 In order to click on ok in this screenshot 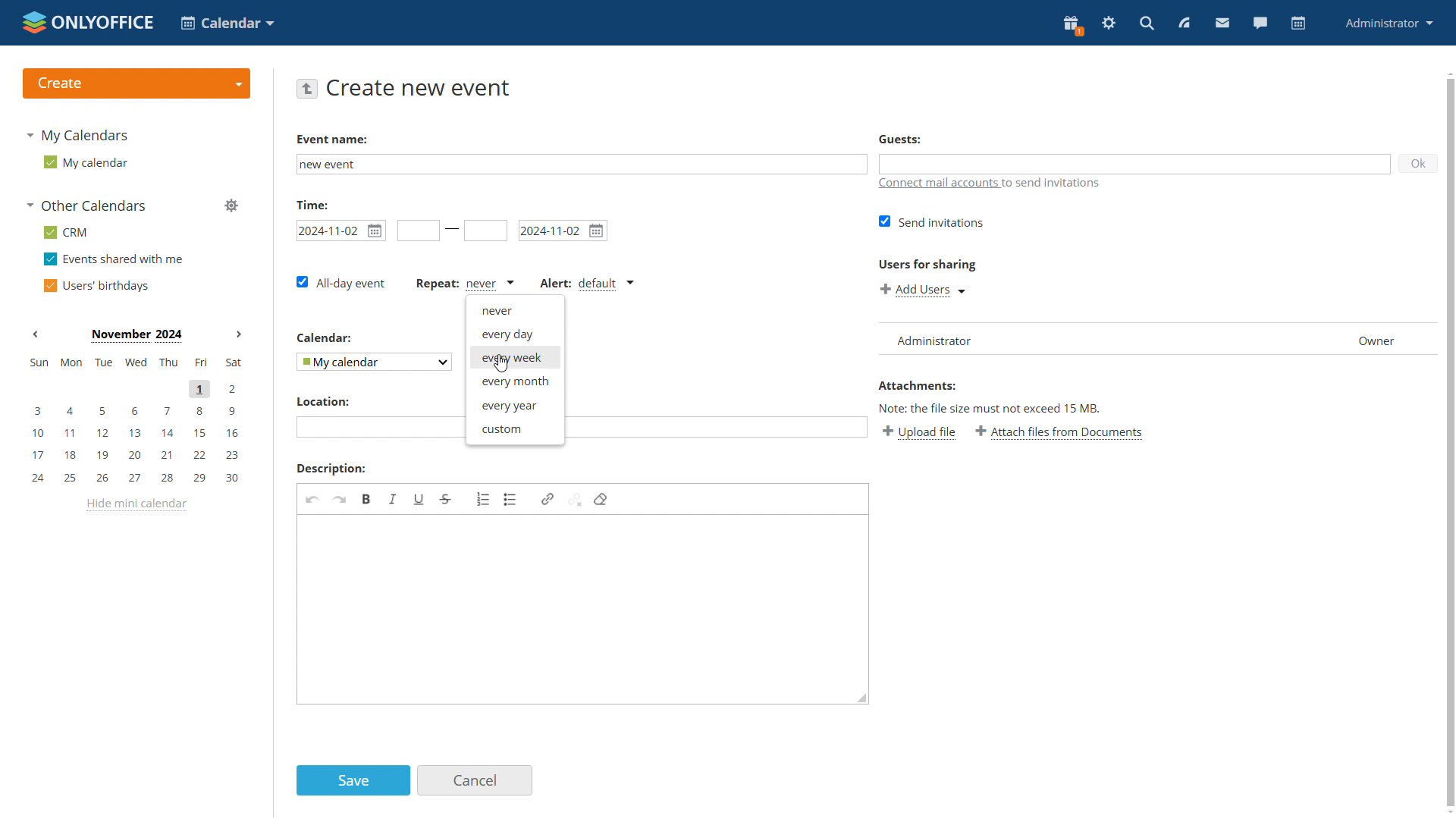, I will do `click(1420, 162)`.